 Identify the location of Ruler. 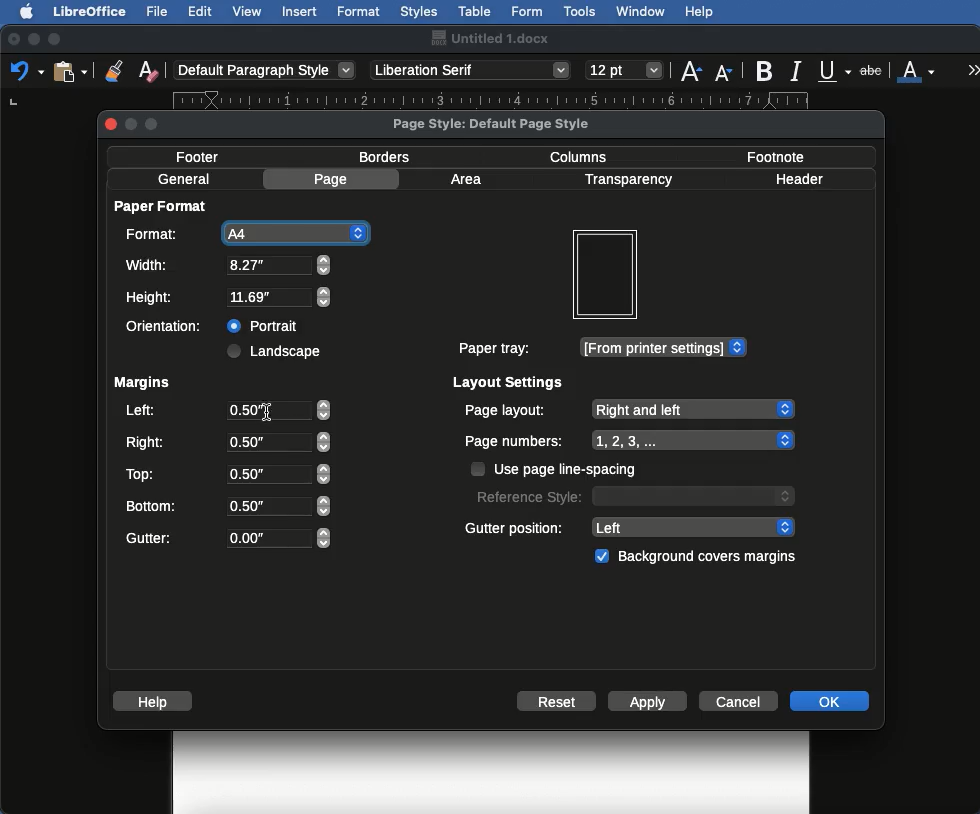
(512, 99).